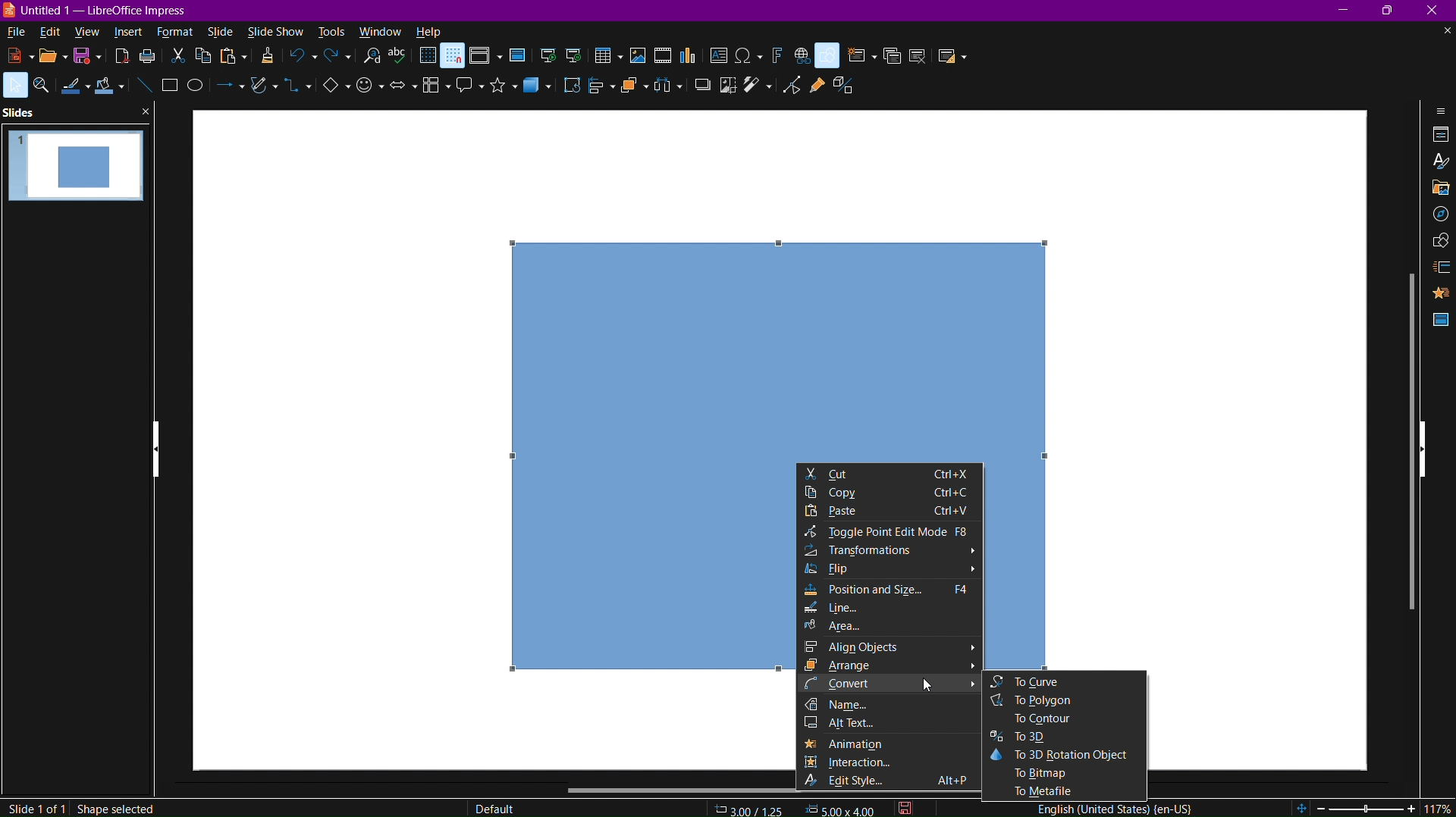 This screenshot has width=1456, height=817. I want to click on Paste, so click(233, 60).